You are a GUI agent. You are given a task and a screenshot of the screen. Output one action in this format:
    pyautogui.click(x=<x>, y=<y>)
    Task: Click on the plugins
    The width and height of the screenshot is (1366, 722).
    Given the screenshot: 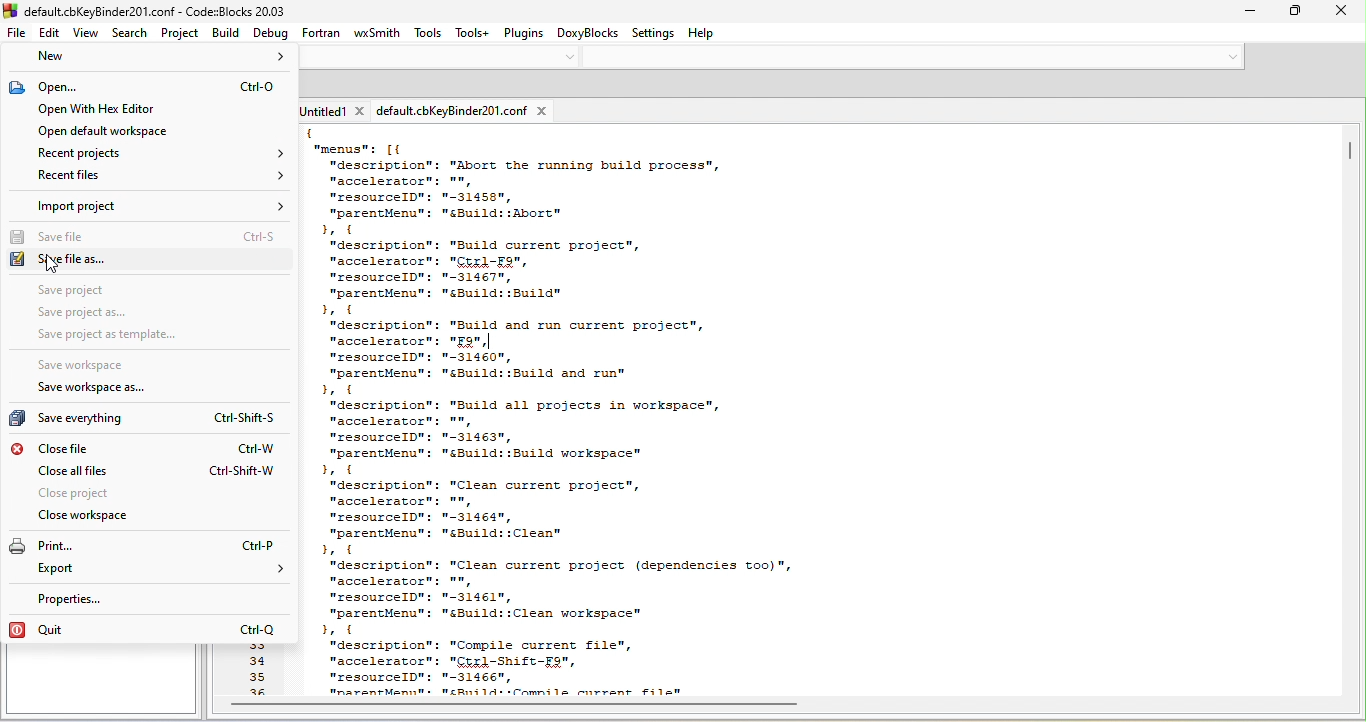 What is the action you would take?
    pyautogui.click(x=524, y=34)
    